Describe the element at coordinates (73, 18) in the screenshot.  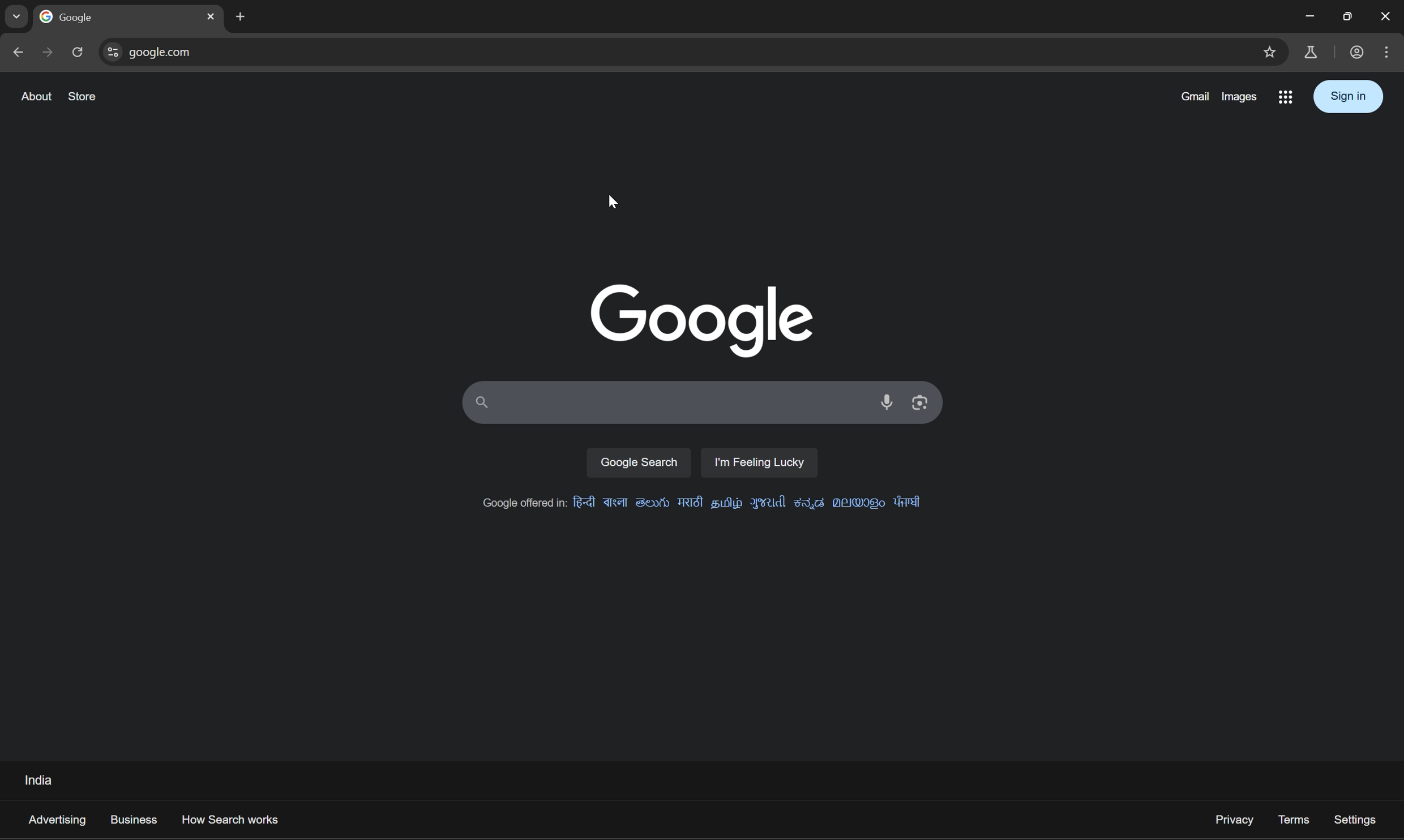
I see `new tab` at that location.